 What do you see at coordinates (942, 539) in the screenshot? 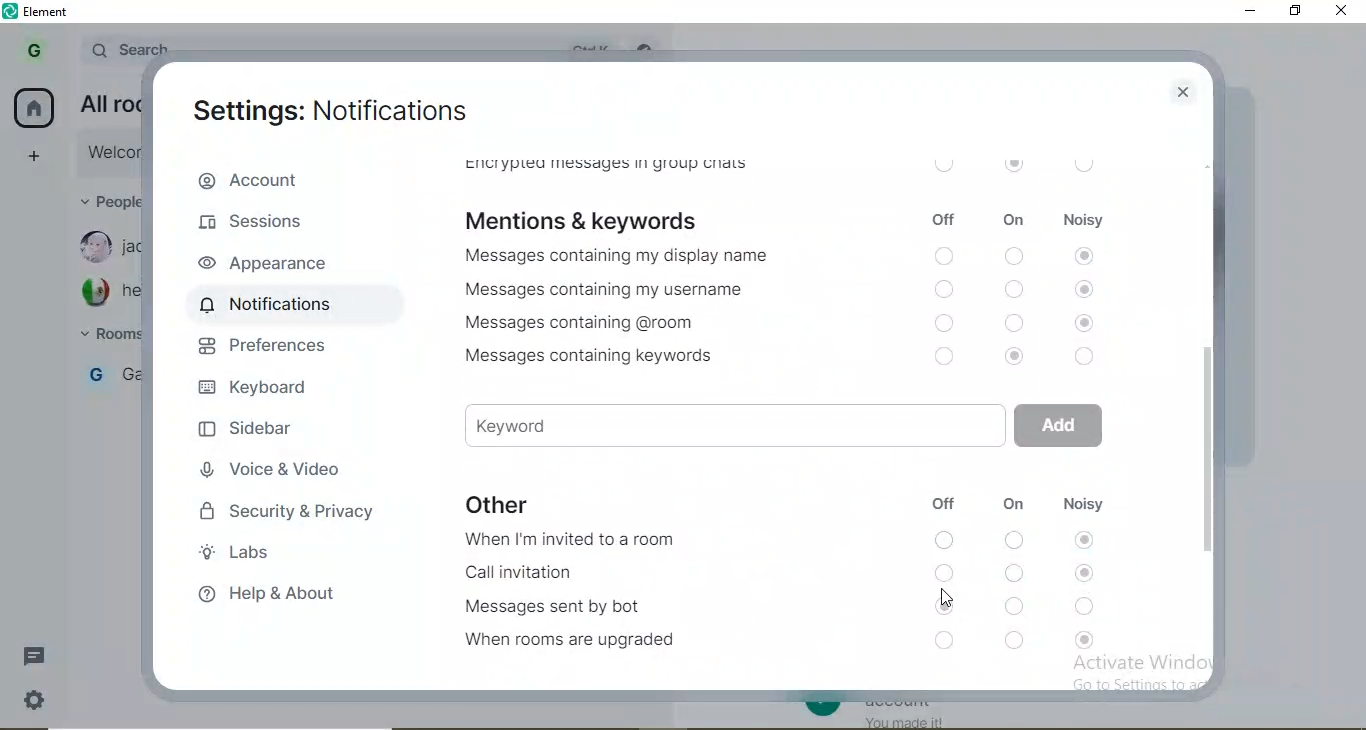
I see `switch off` at bounding box center [942, 539].